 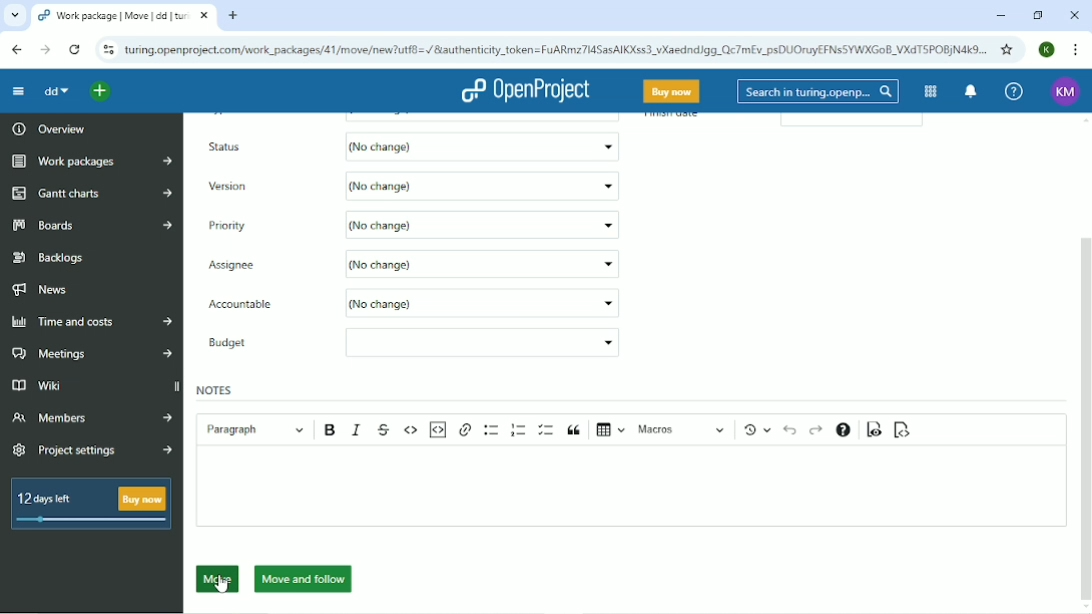 What do you see at coordinates (92, 451) in the screenshot?
I see `Project settings` at bounding box center [92, 451].